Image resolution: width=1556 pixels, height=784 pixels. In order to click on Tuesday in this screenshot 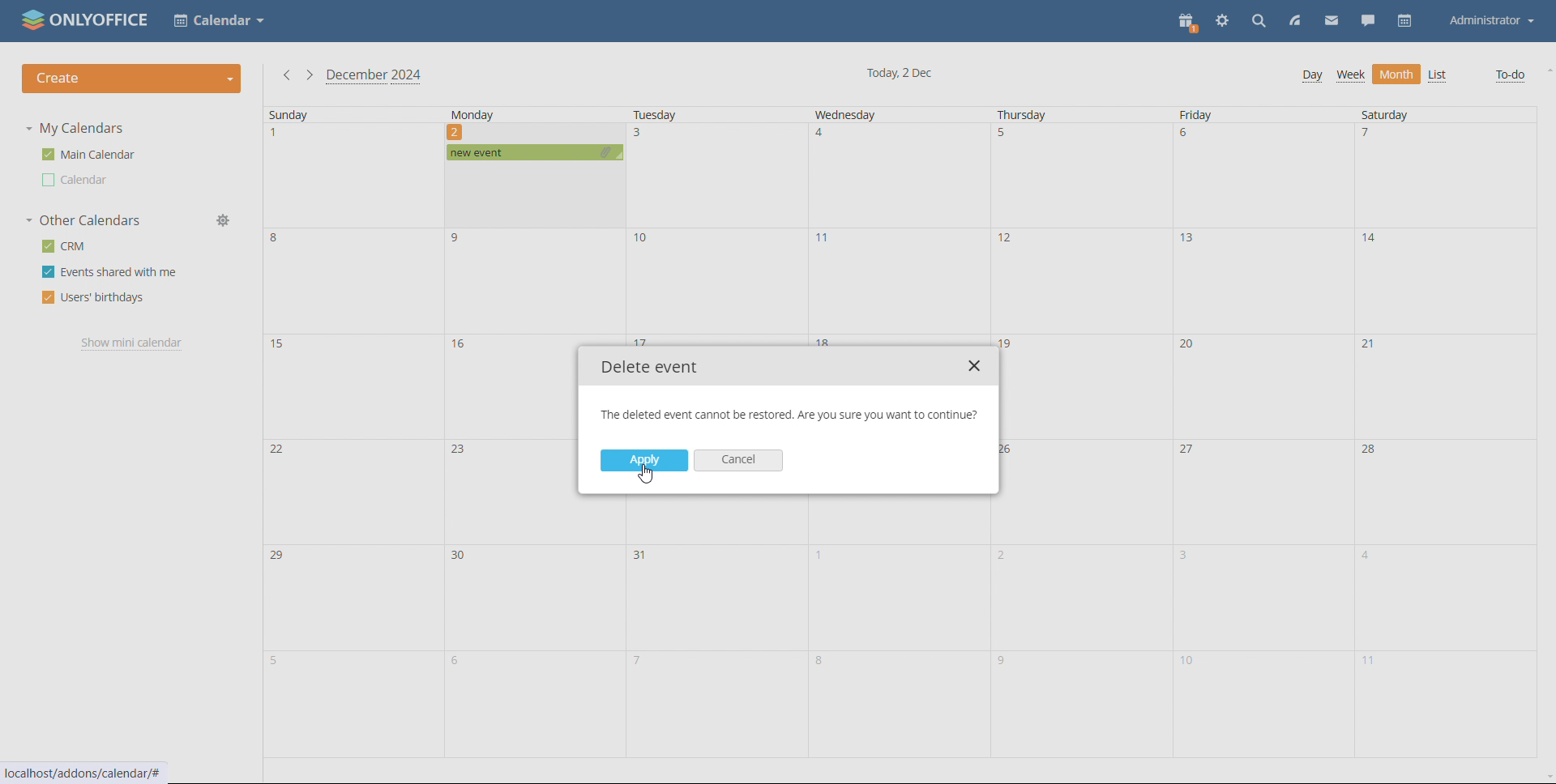, I will do `click(656, 113)`.